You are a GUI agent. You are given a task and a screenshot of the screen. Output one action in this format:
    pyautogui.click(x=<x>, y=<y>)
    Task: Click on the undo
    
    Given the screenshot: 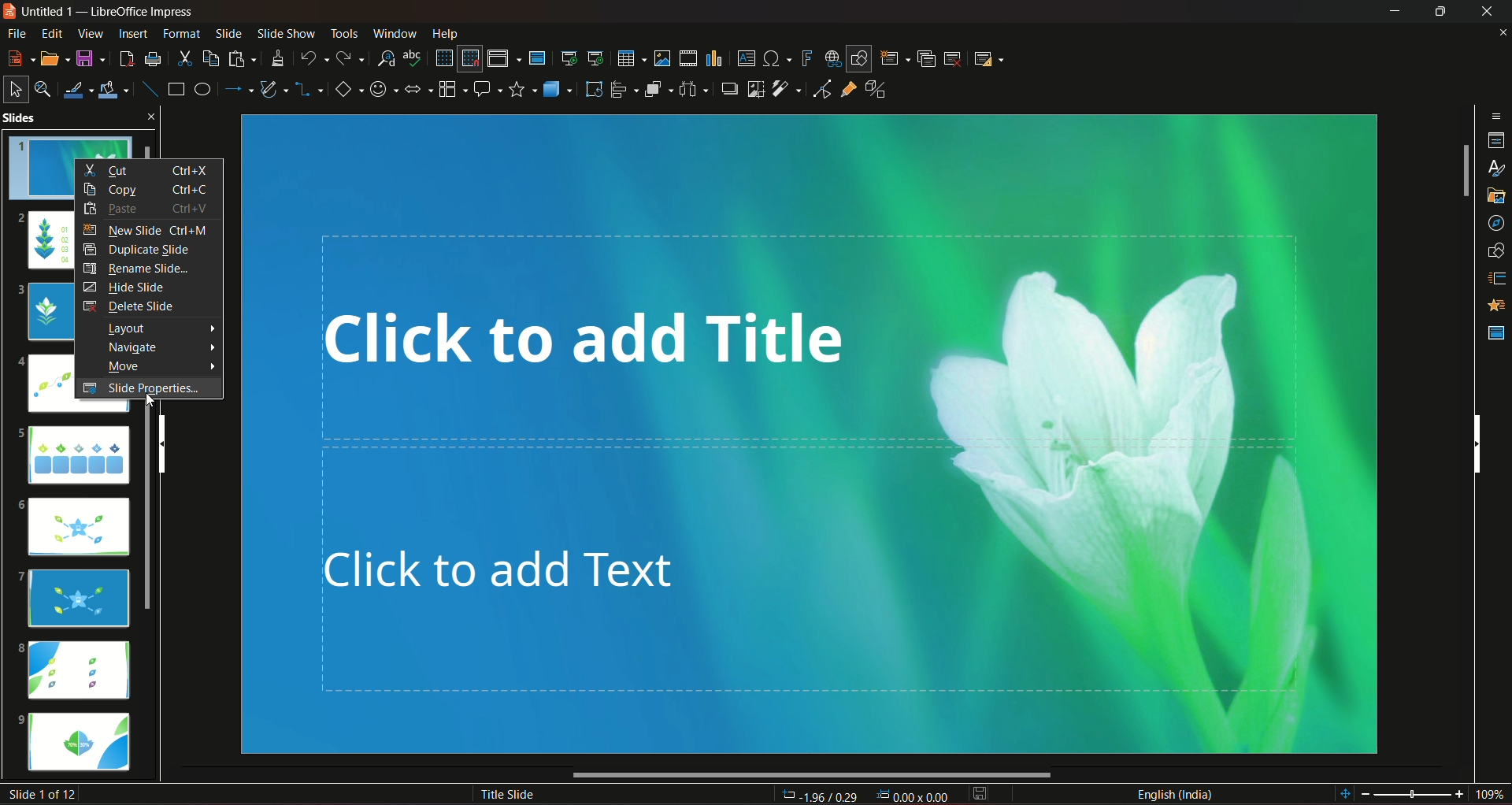 What is the action you would take?
    pyautogui.click(x=314, y=57)
    